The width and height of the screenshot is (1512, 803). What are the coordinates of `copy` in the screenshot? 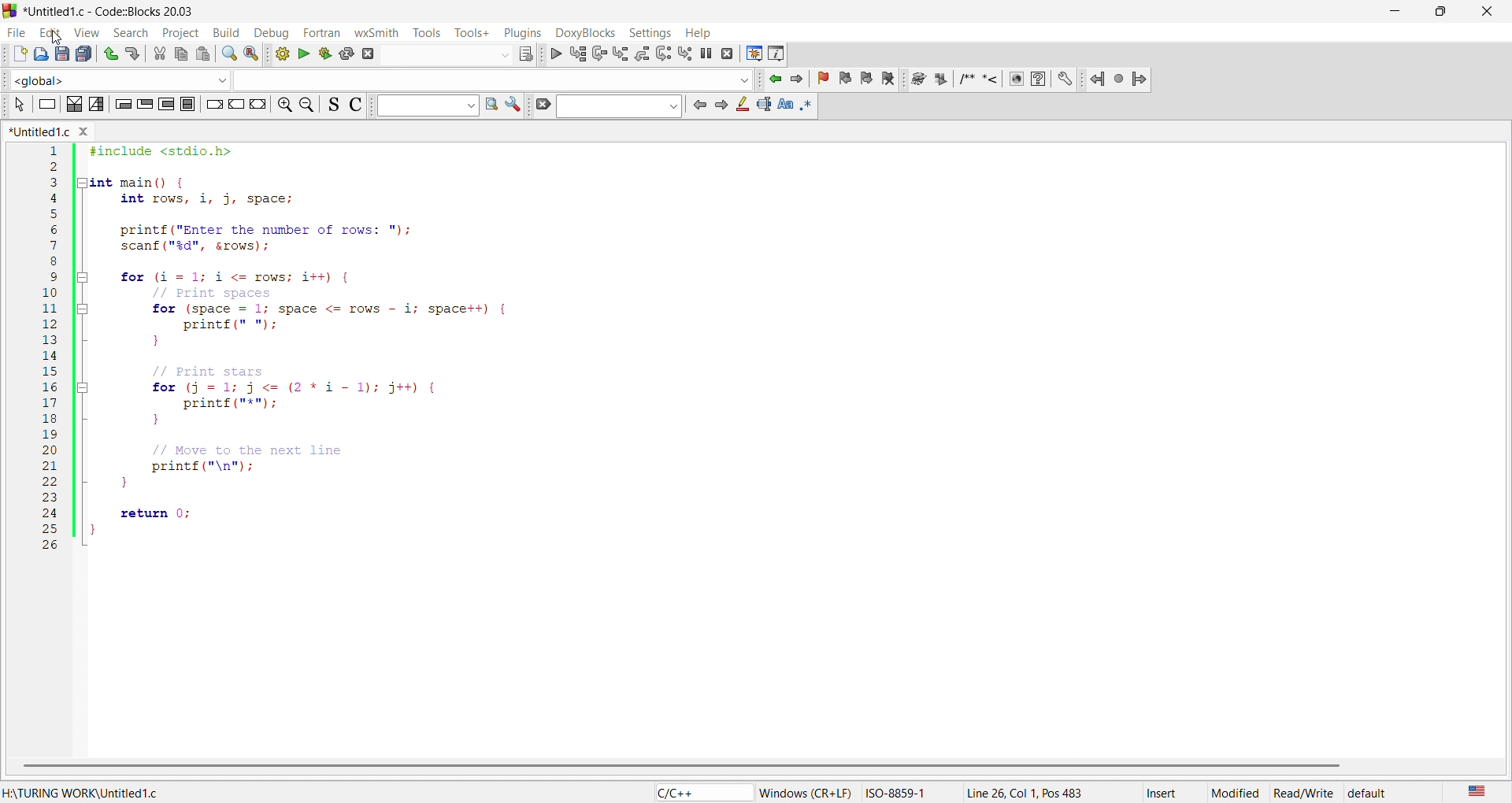 It's located at (181, 54).